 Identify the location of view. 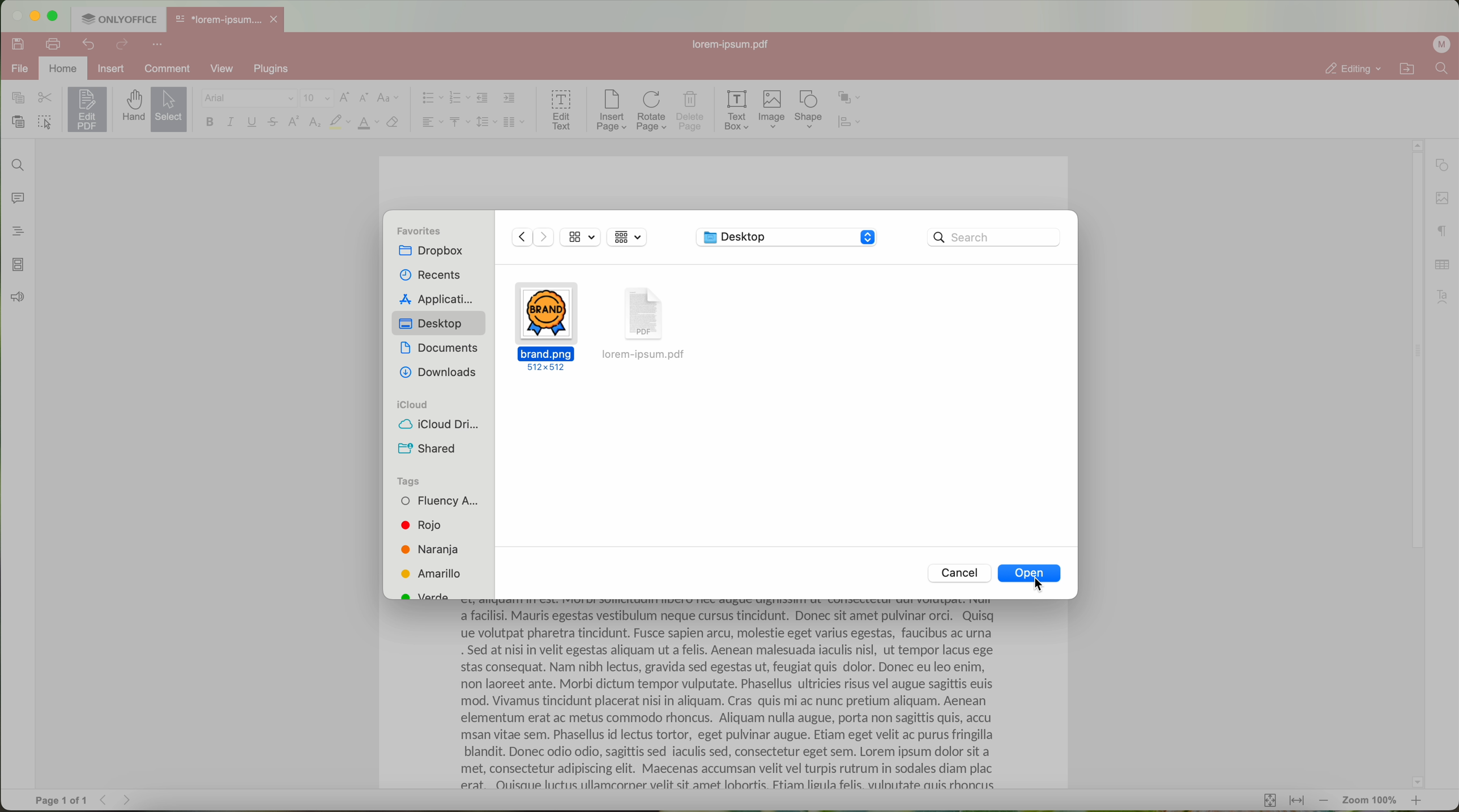
(226, 69).